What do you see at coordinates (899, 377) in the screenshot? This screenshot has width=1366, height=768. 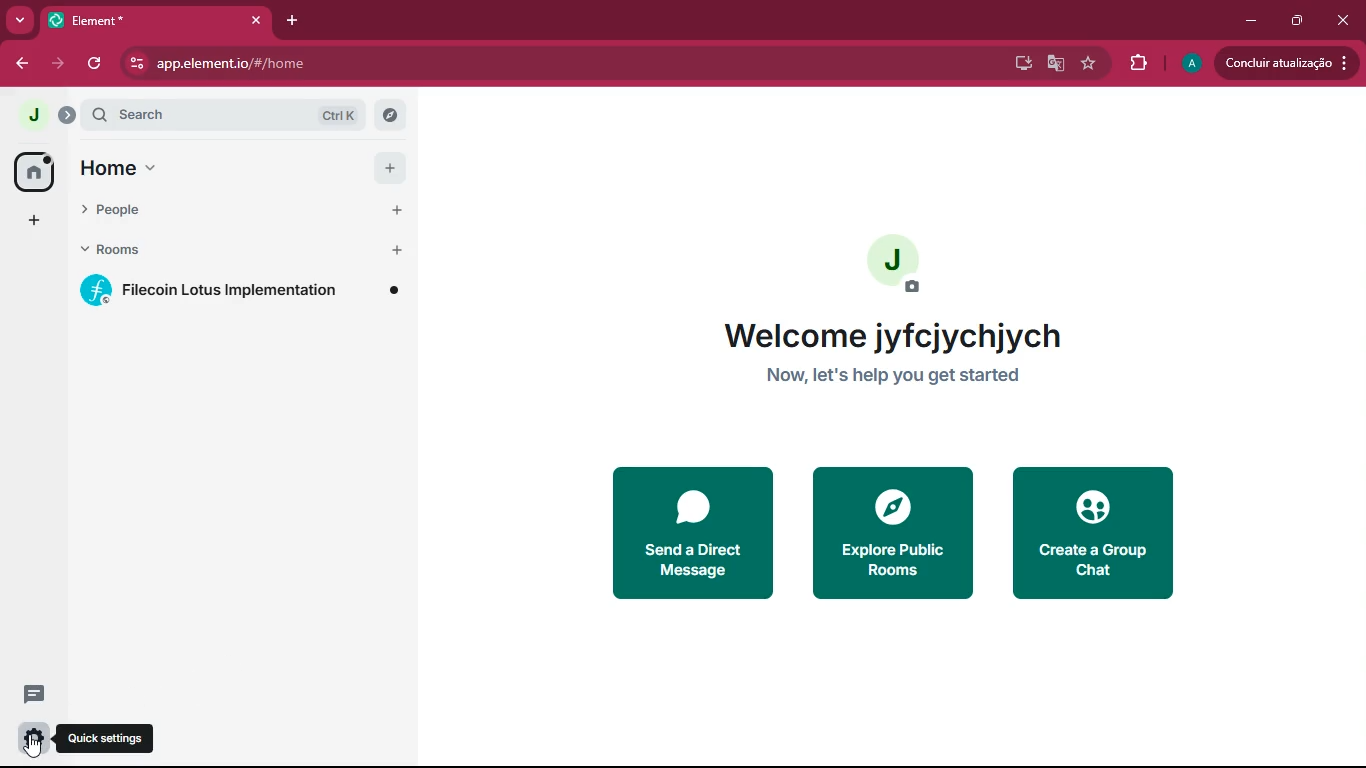 I see `now, let's help you get started` at bounding box center [899, 377].